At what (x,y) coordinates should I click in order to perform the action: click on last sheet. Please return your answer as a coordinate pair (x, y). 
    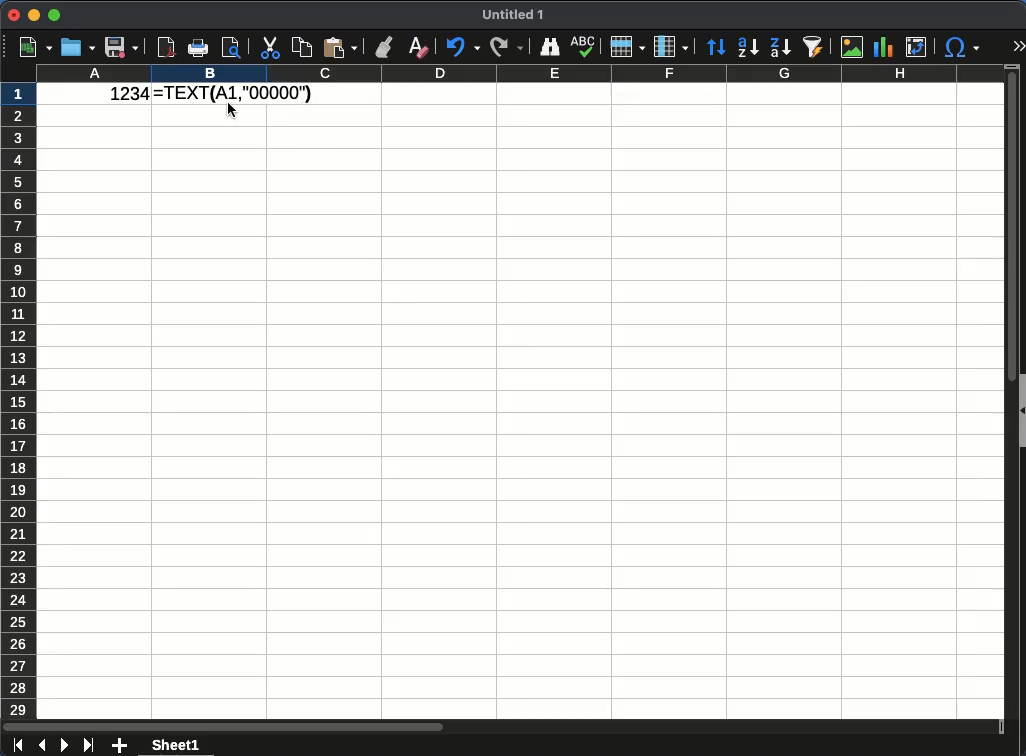
    Looking at the image, I should click on (88, 743).